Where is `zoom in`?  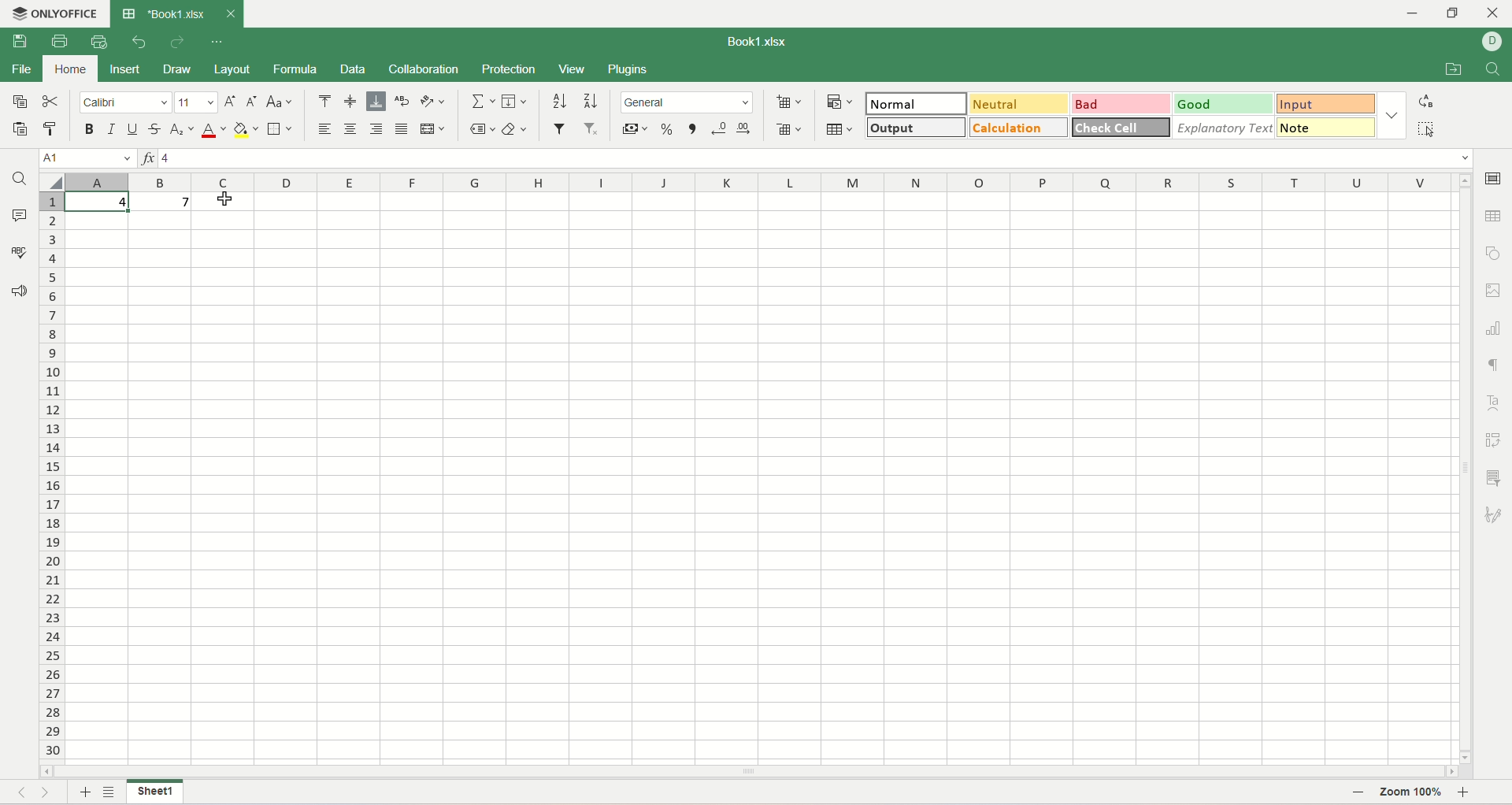
zoom in is located at coordinates (1466, 795).